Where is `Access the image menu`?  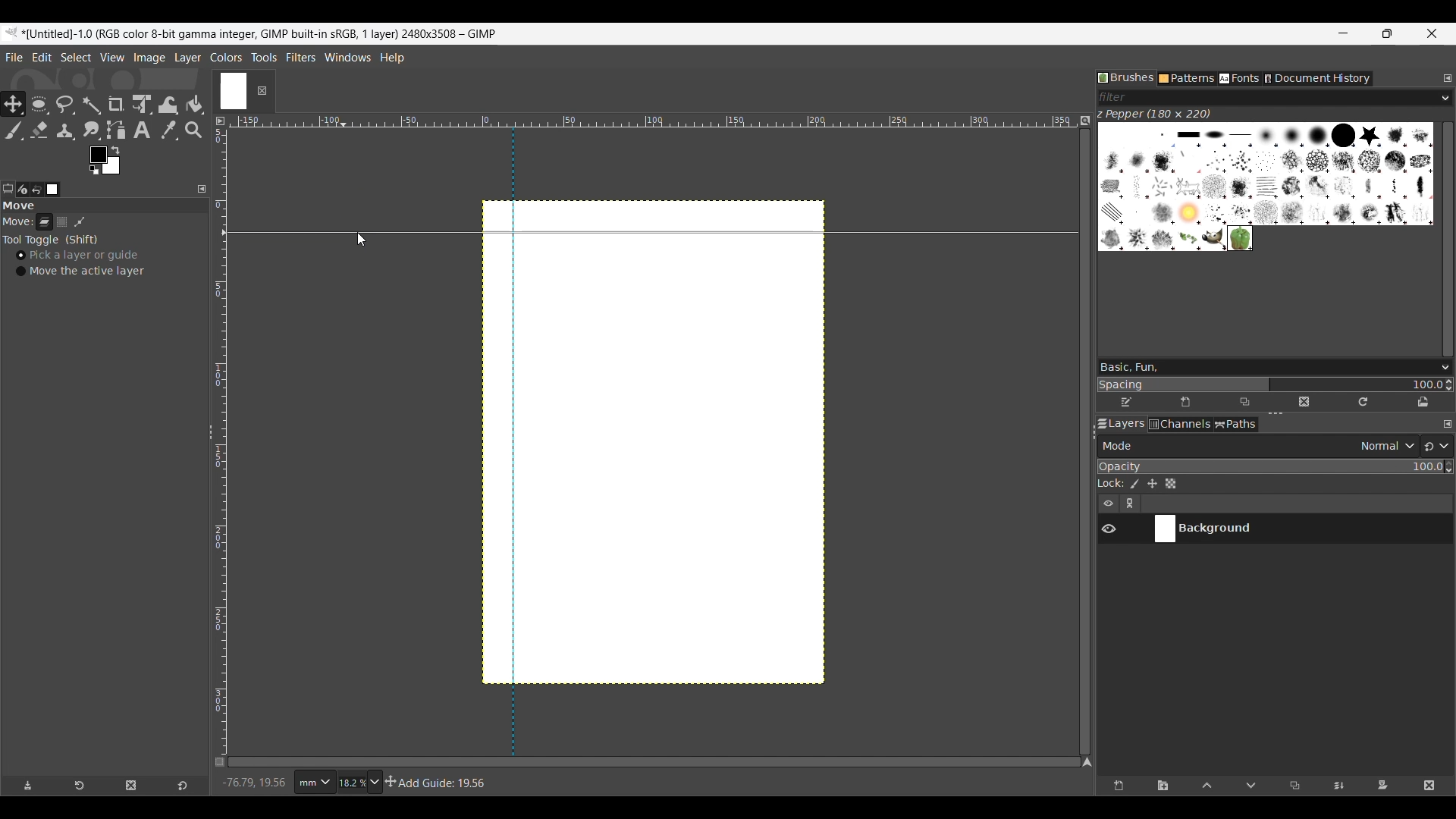
Access the image menu is located at coordinates (220, 121).